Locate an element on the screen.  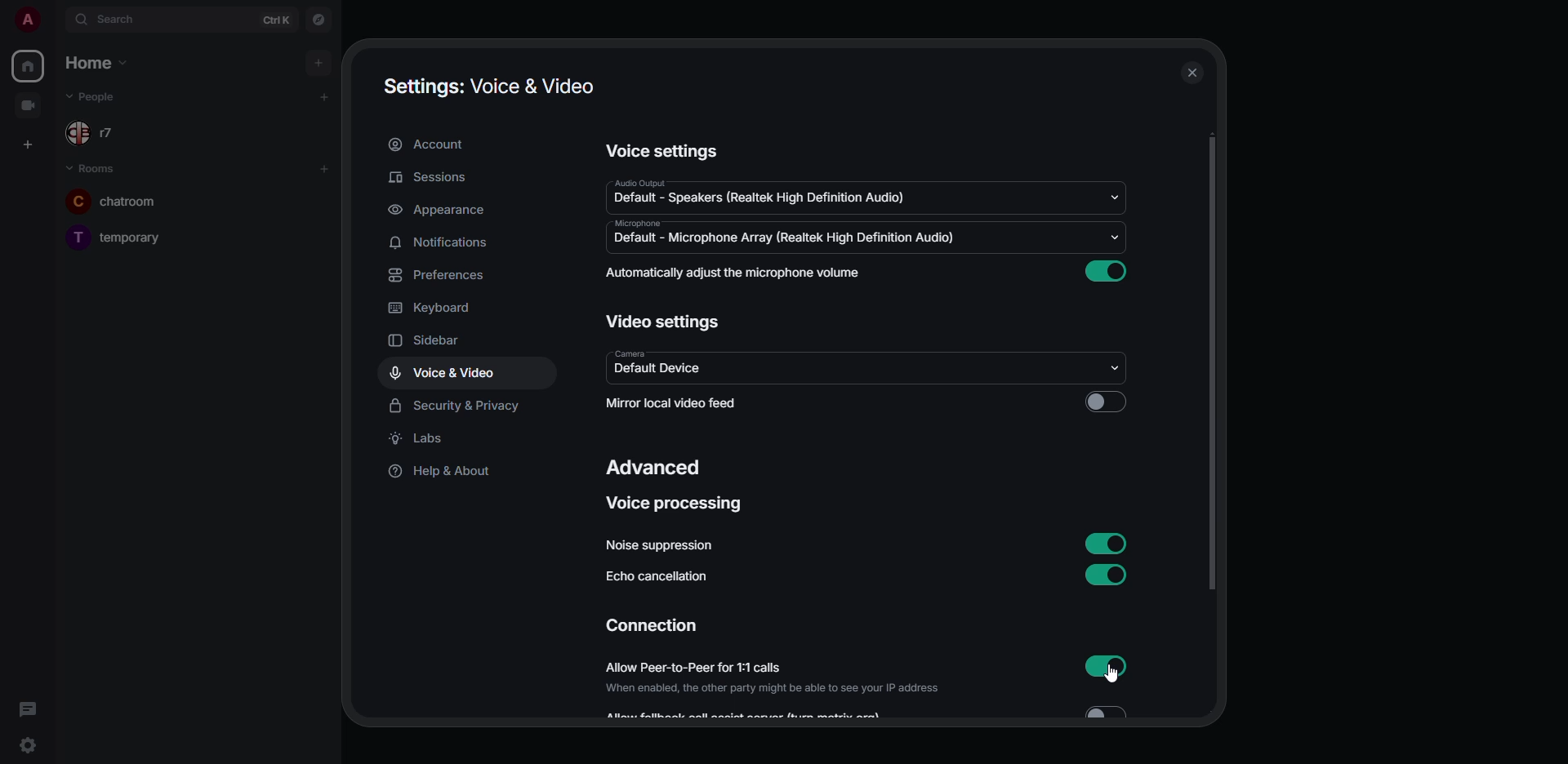
scroll bar is located at coordinates (1210, 363).